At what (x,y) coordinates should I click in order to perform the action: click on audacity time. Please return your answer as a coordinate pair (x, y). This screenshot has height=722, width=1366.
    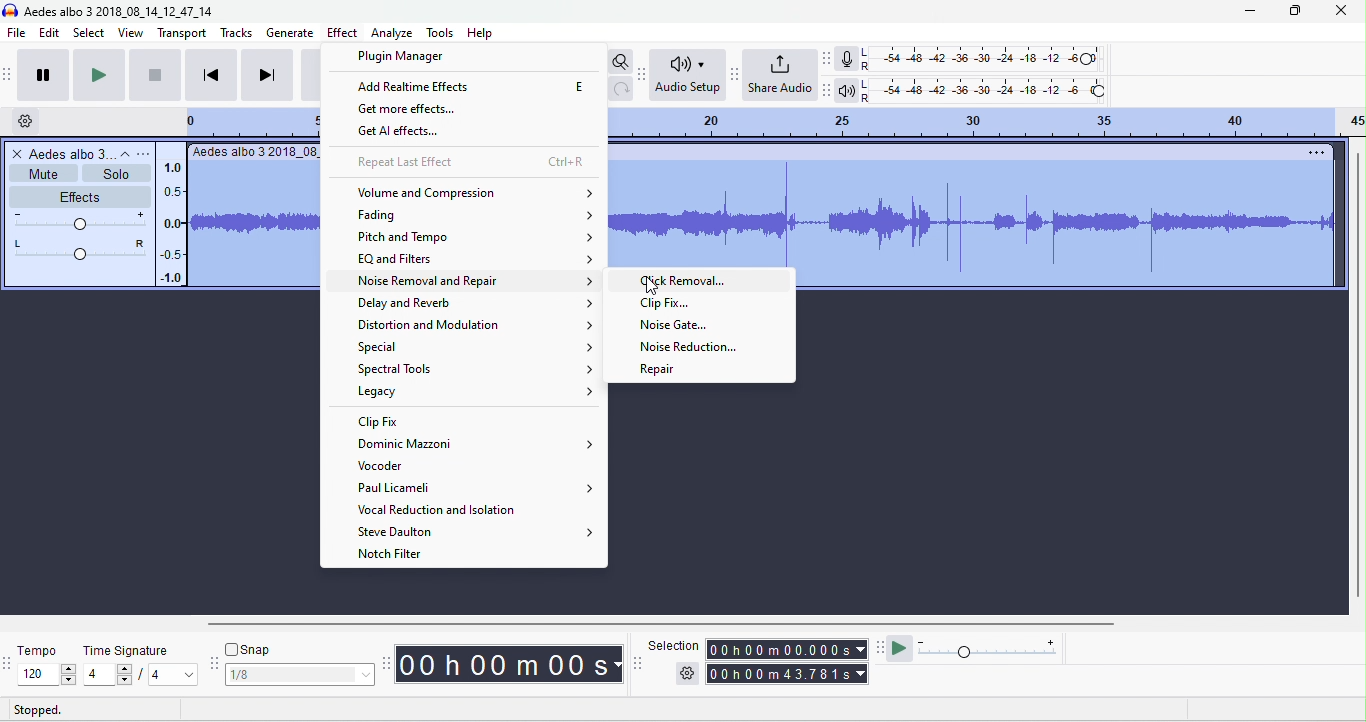
    Looking at the image, I should click on (510, 665).